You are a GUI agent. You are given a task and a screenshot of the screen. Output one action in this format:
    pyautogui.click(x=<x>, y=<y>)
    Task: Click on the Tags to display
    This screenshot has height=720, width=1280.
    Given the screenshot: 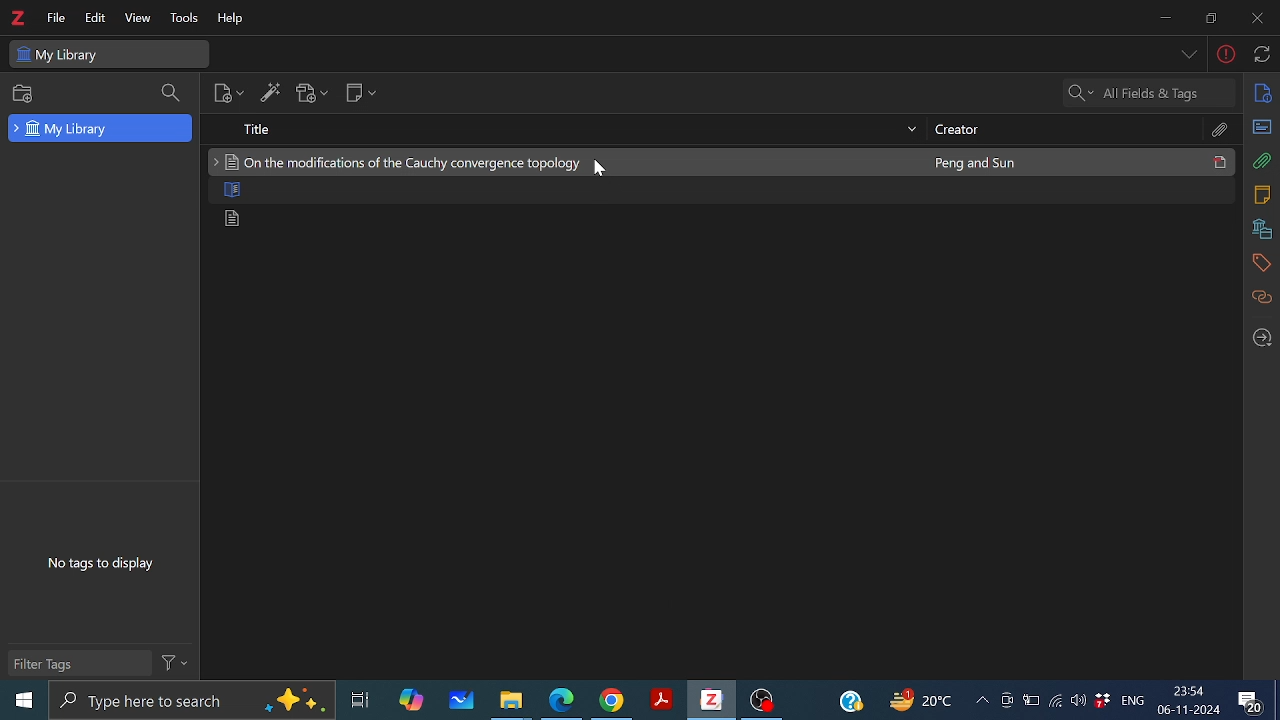 What is the action you would take?
    pyautogui.click(x=97, y=552)
    